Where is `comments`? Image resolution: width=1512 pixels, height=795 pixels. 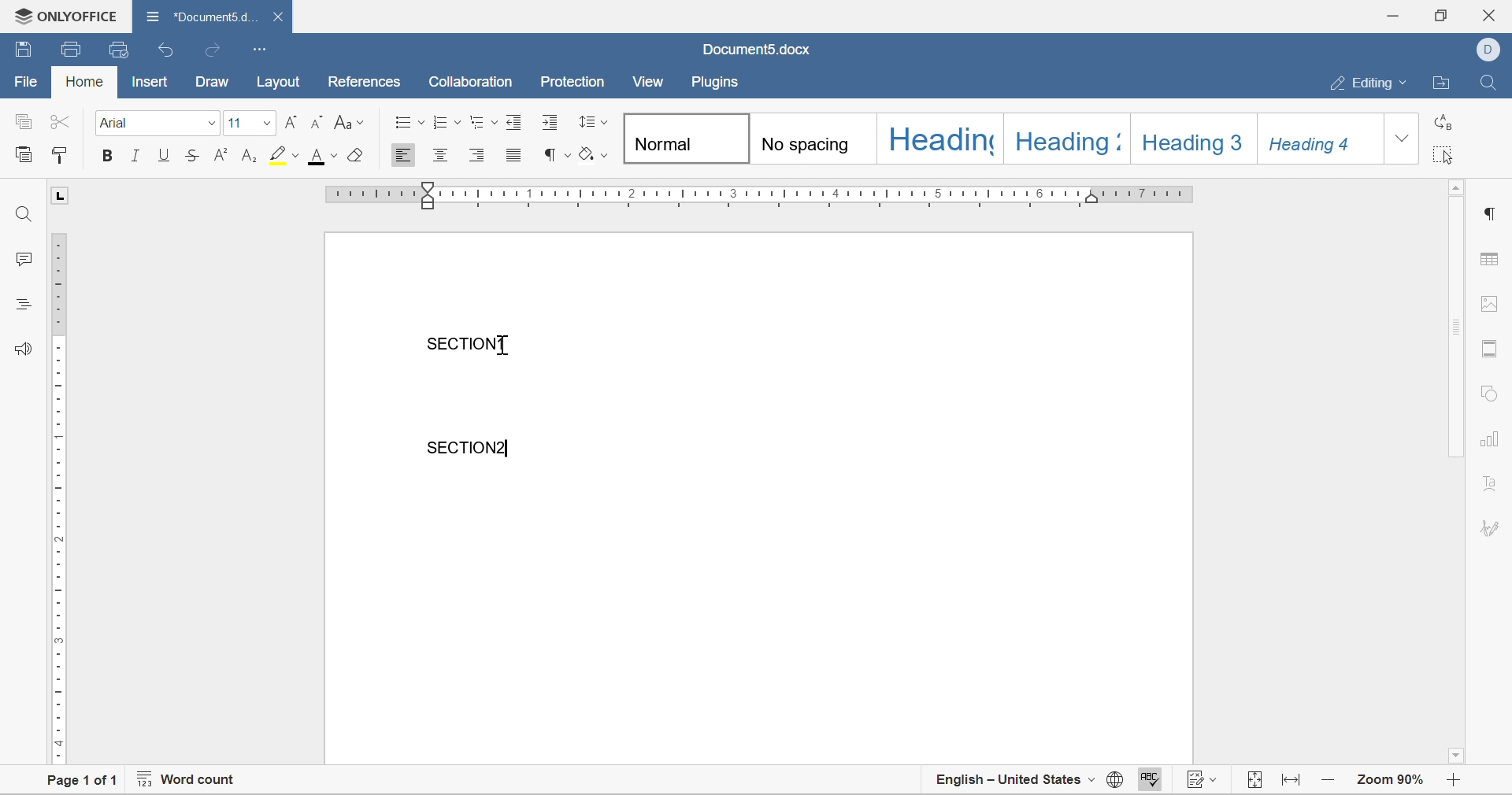
comments is located at coordinates (17, 258).